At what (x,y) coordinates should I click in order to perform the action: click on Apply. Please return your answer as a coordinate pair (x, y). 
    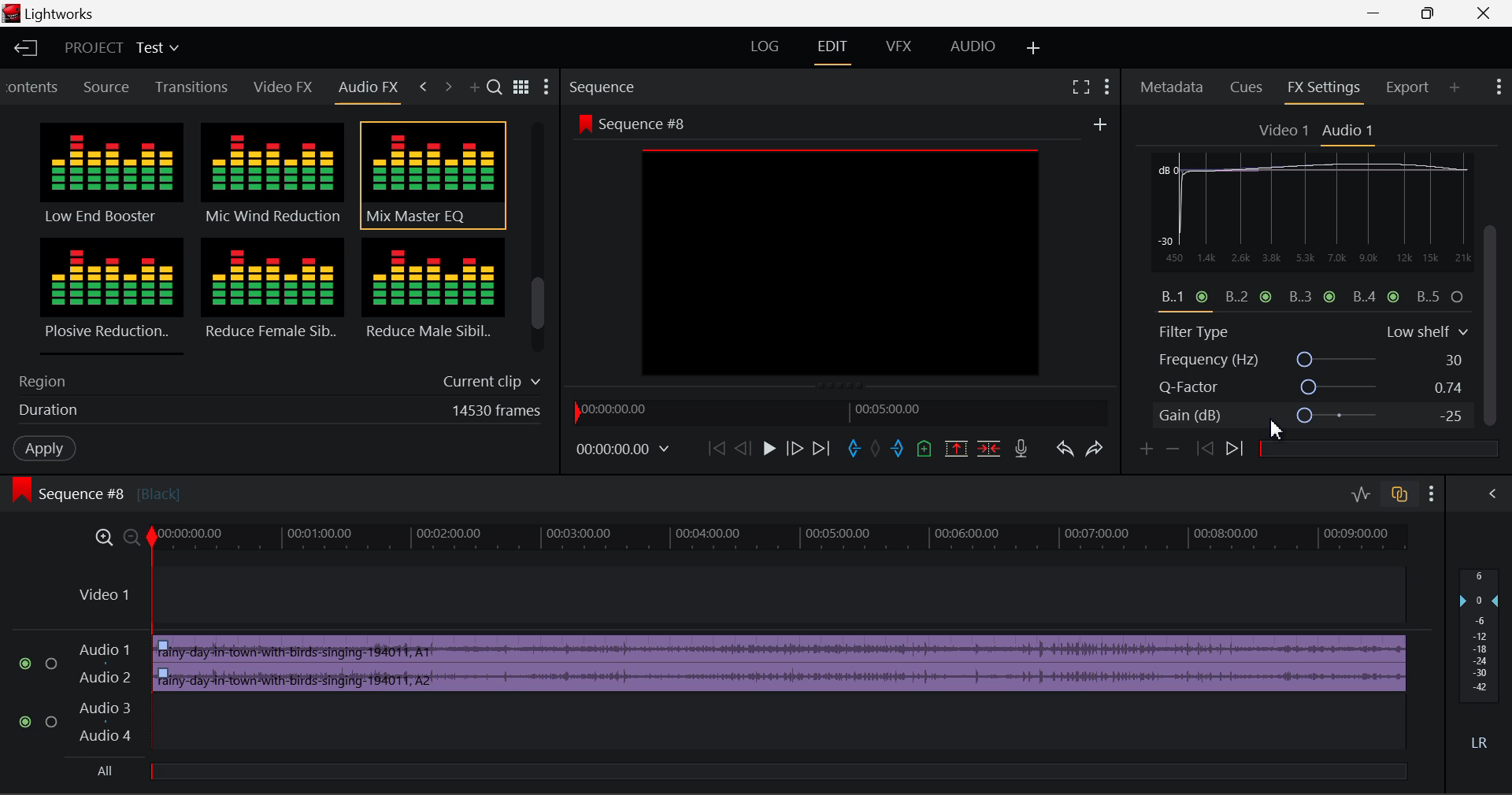
    Looking at the image, I should click on (44, 449).